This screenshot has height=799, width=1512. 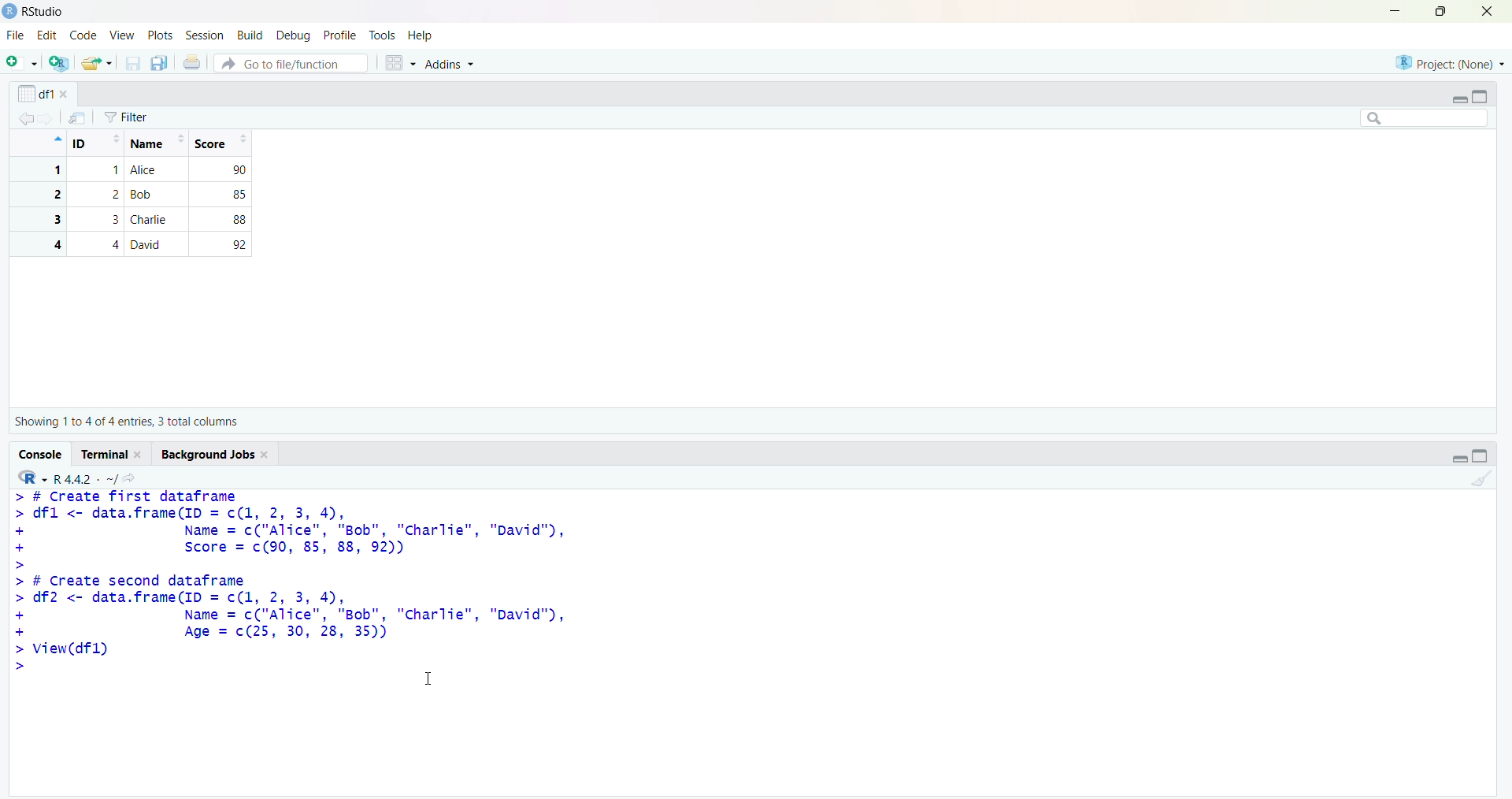 What do you see at coordinates (1458, 100) in the screenshot?
I see `Collapse/expand ` at bounding box center [1458, 100].